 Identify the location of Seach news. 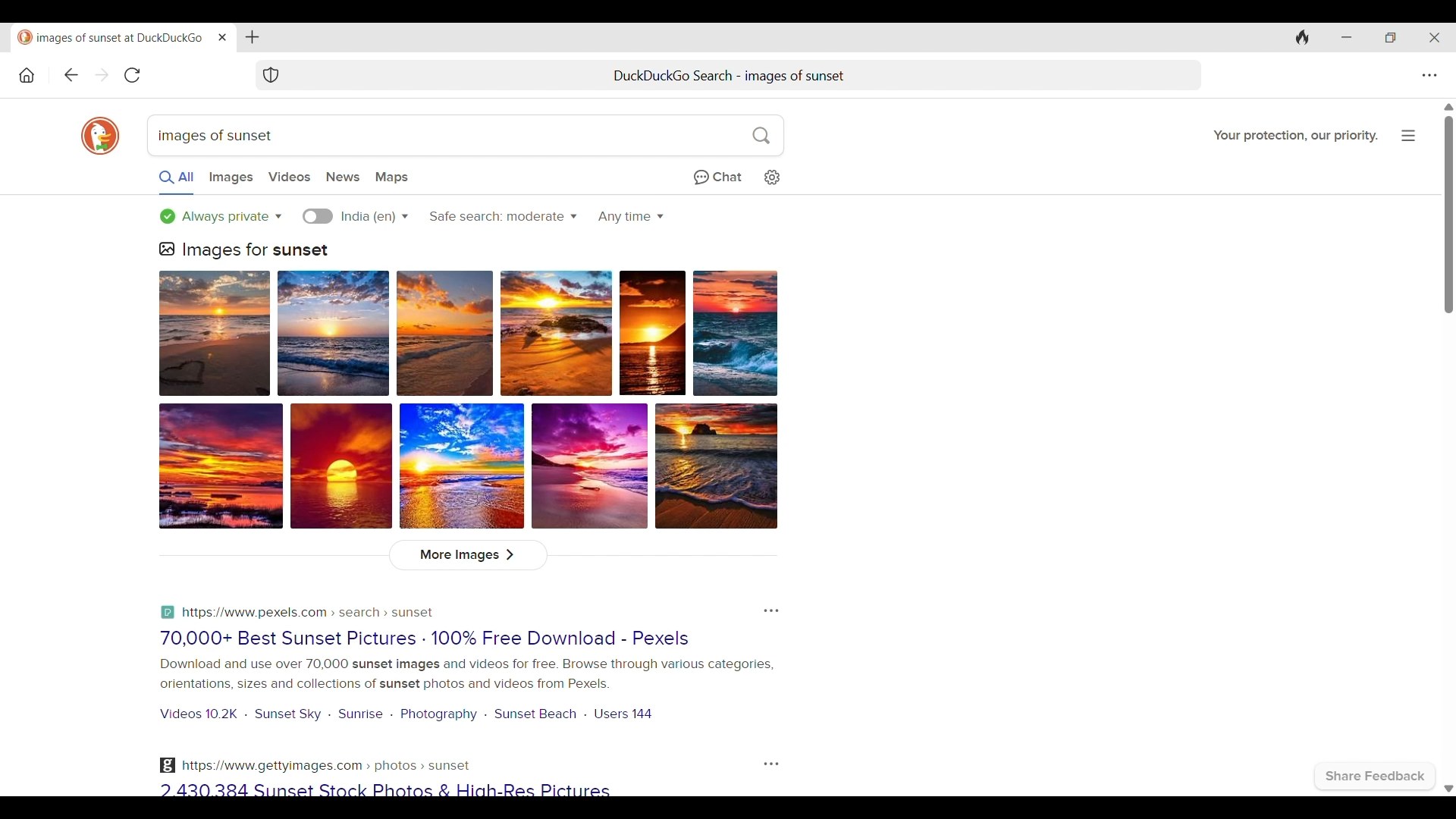
(343, 177).